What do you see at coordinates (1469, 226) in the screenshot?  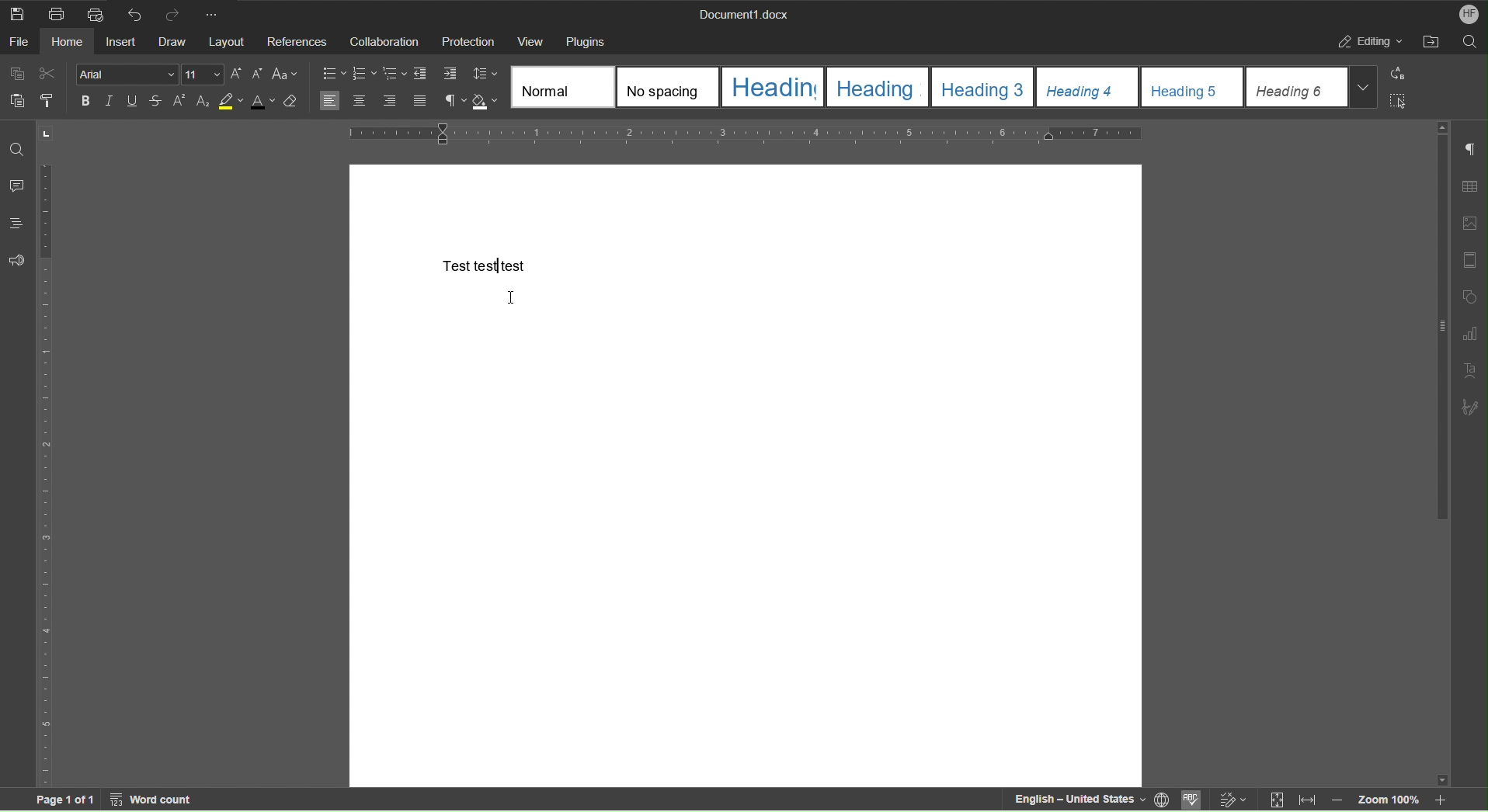 I see `Image Settings` at bounding box center [1469, 226].